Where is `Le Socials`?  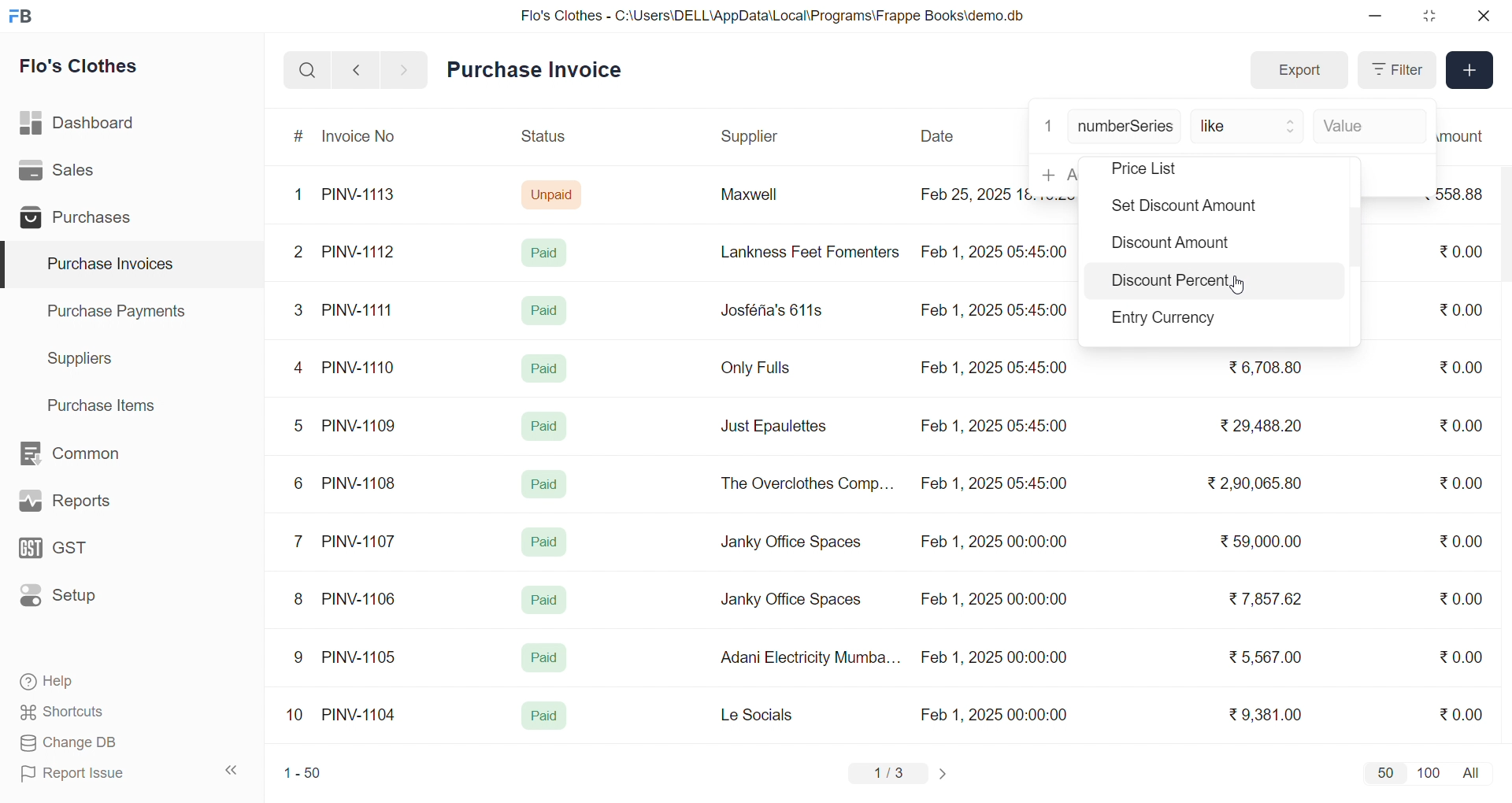 Le Socials is located at coordinates (770, 714).